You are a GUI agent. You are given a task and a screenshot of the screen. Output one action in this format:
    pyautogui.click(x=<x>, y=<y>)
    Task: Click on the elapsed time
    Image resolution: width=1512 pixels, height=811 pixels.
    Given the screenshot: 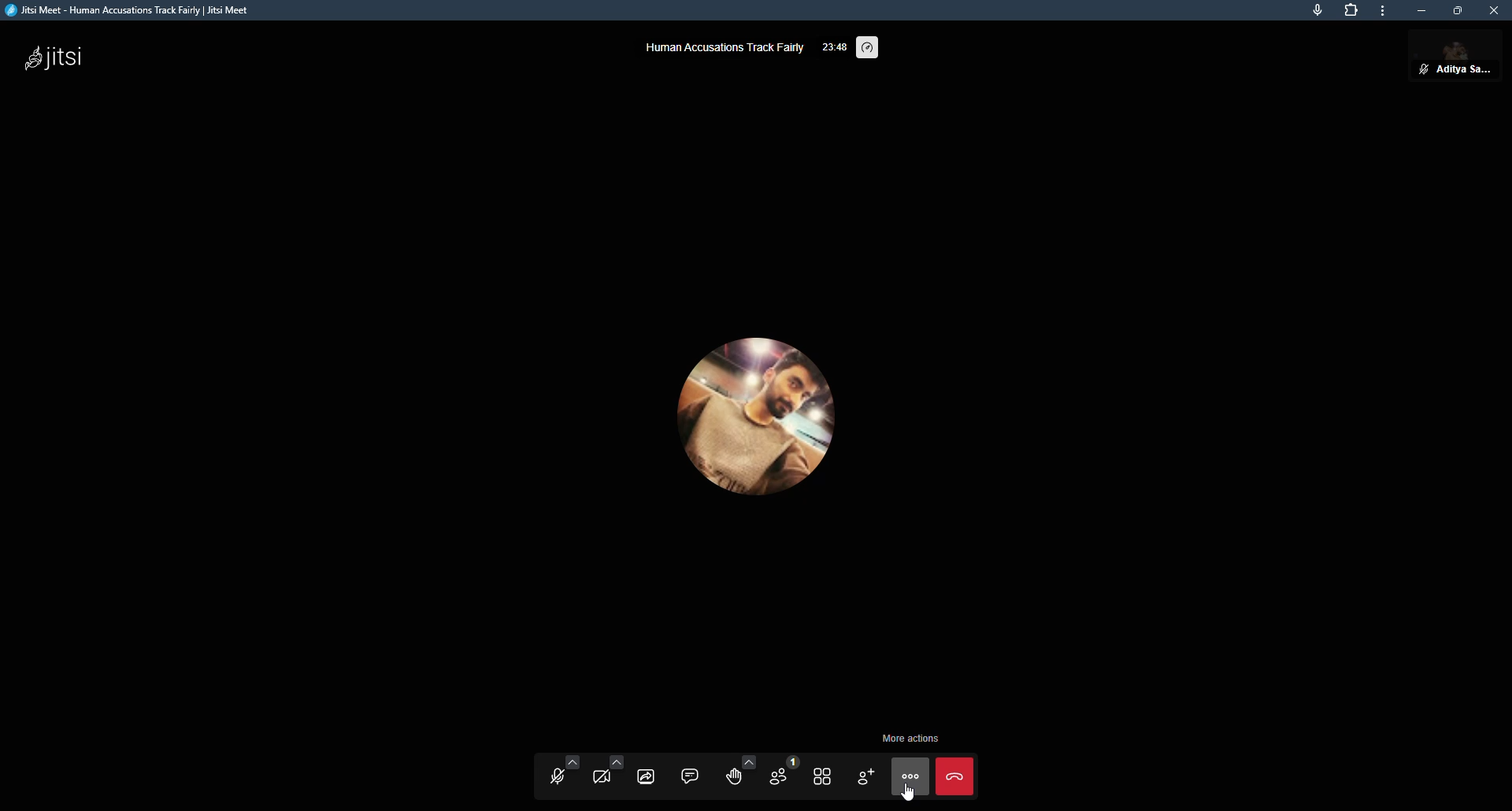 What is the action you would take?
    pyautogui.click(x=835, y=45)
    